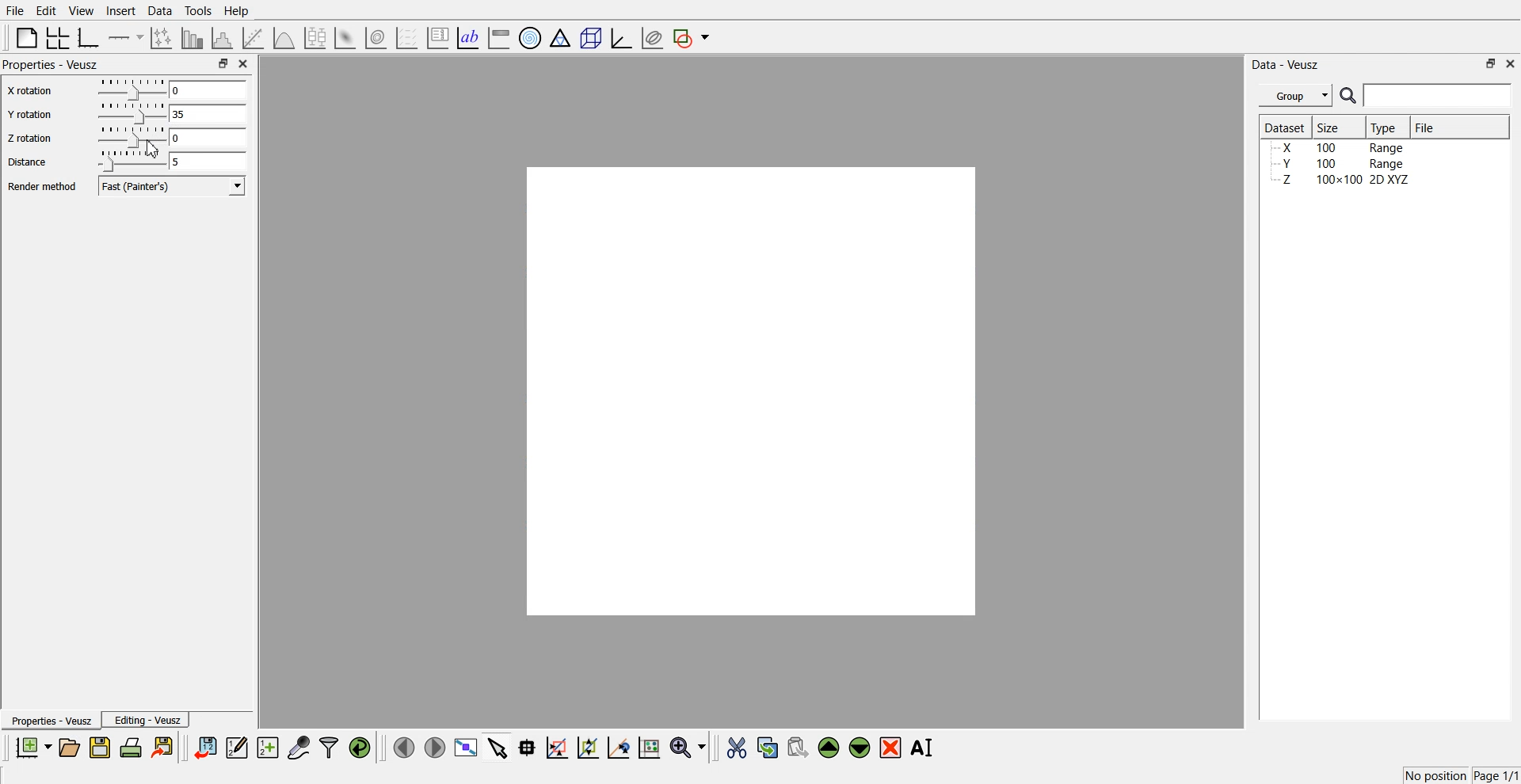  Describe the element at coordinates (131, 113) in the screenshot. I see `Drag Handle` at that location.